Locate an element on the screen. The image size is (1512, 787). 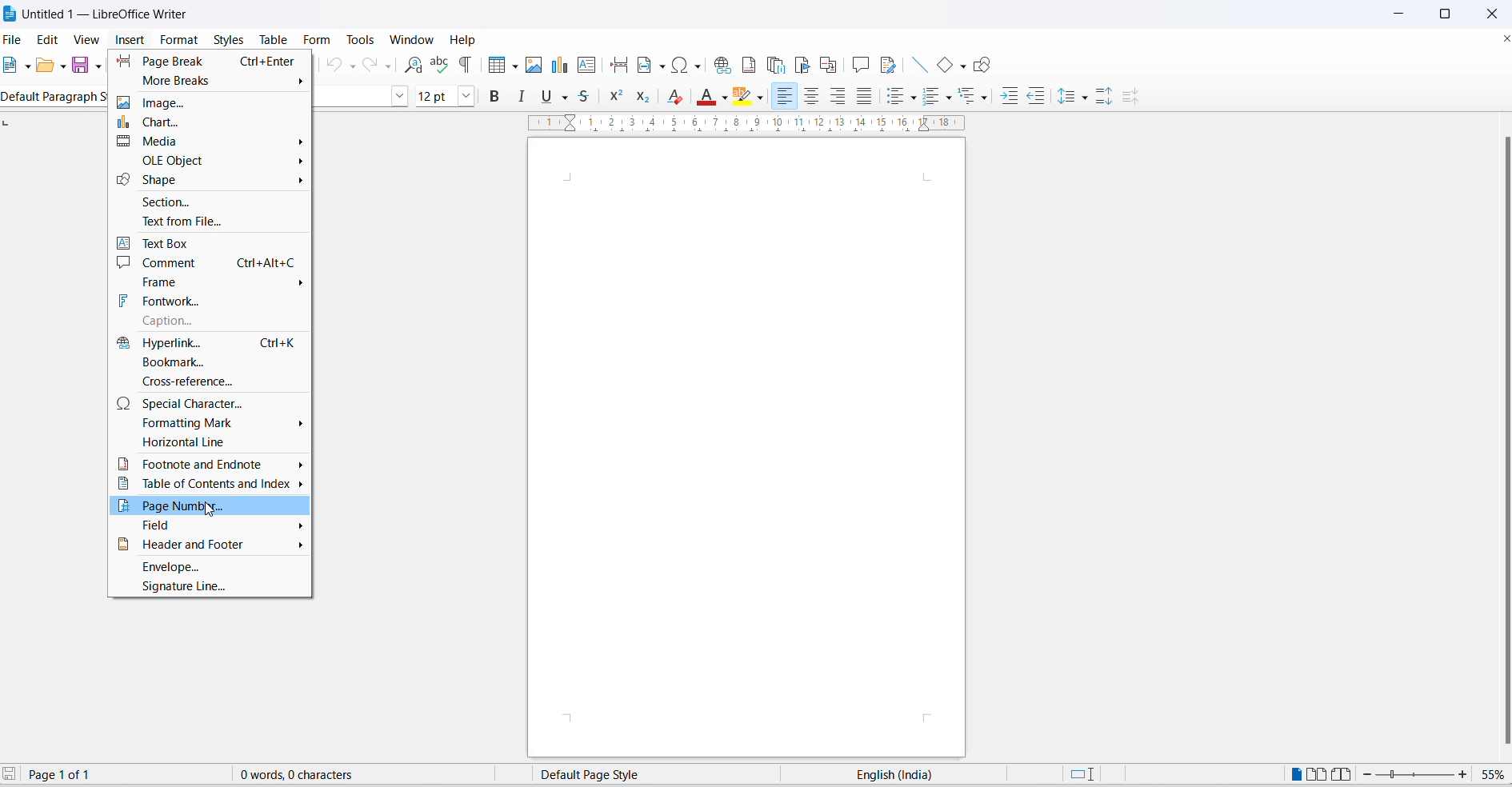
form is located at coordinates (317, 40).